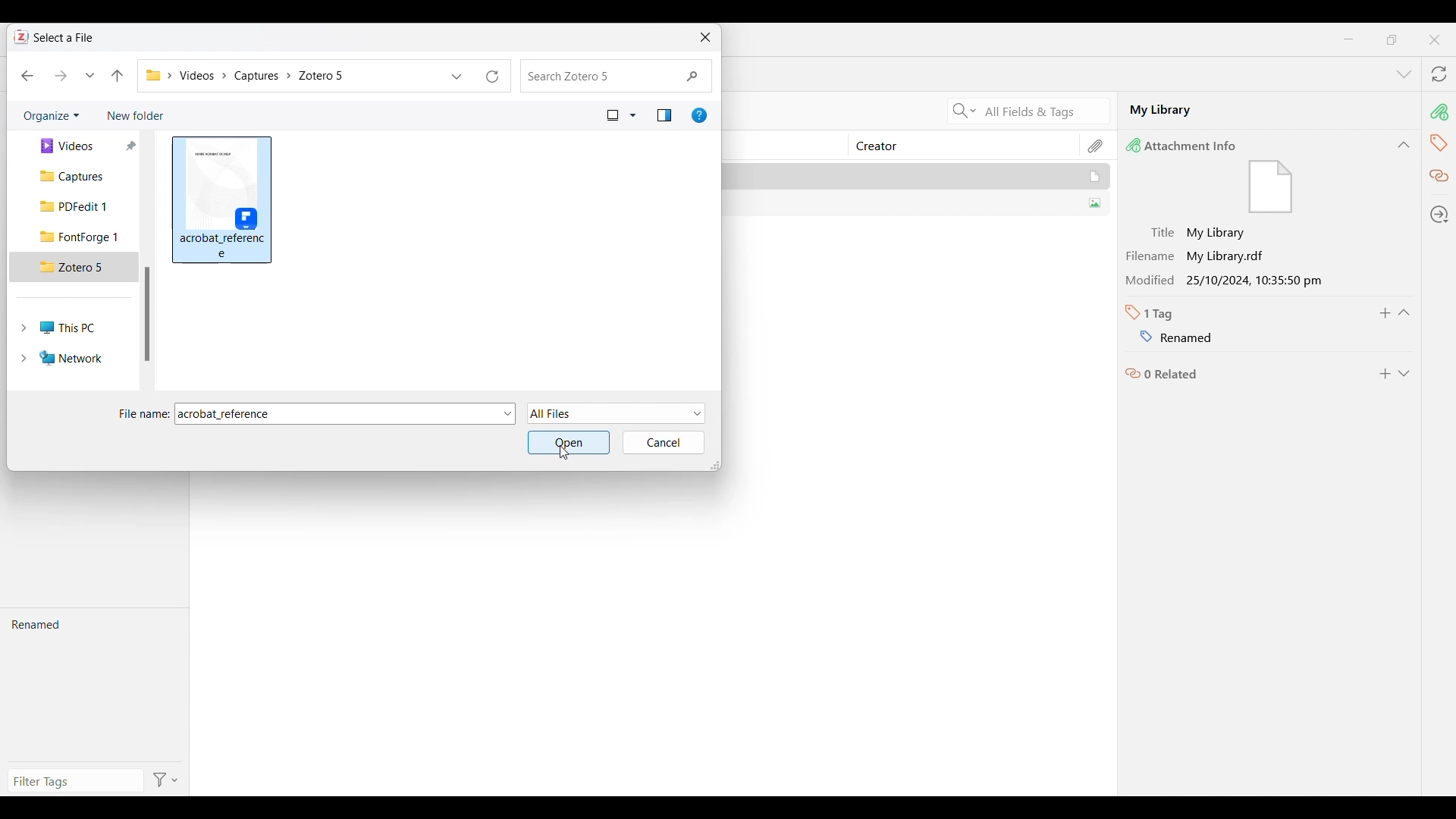 This screenshot has height=819, width=1456. What do you see at coordinates (1391, 39) in the screenshot?
I see `maximize` at bounding box center [1391, 39].